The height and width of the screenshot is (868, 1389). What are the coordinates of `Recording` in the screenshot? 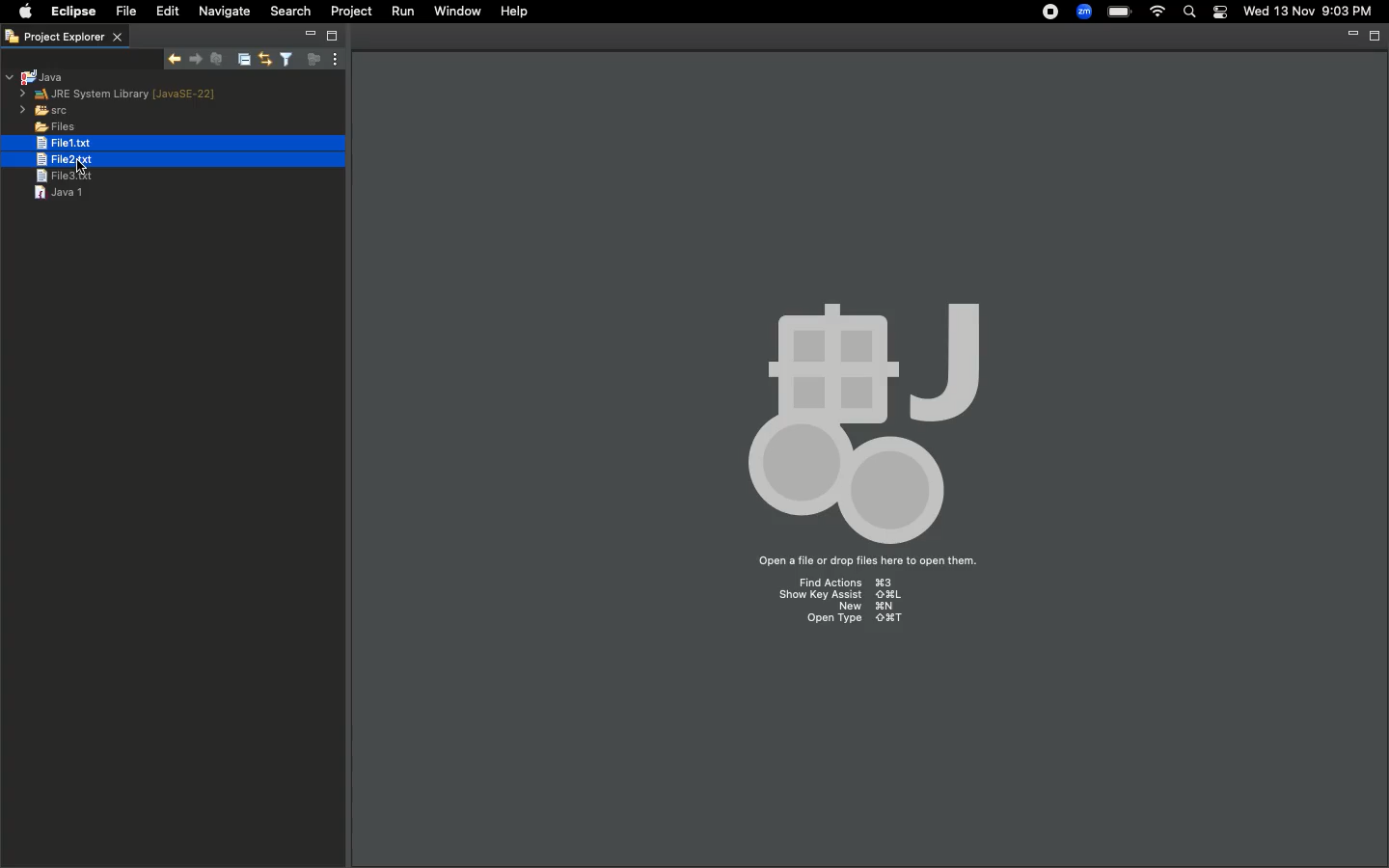 It's located at (1046, 14).